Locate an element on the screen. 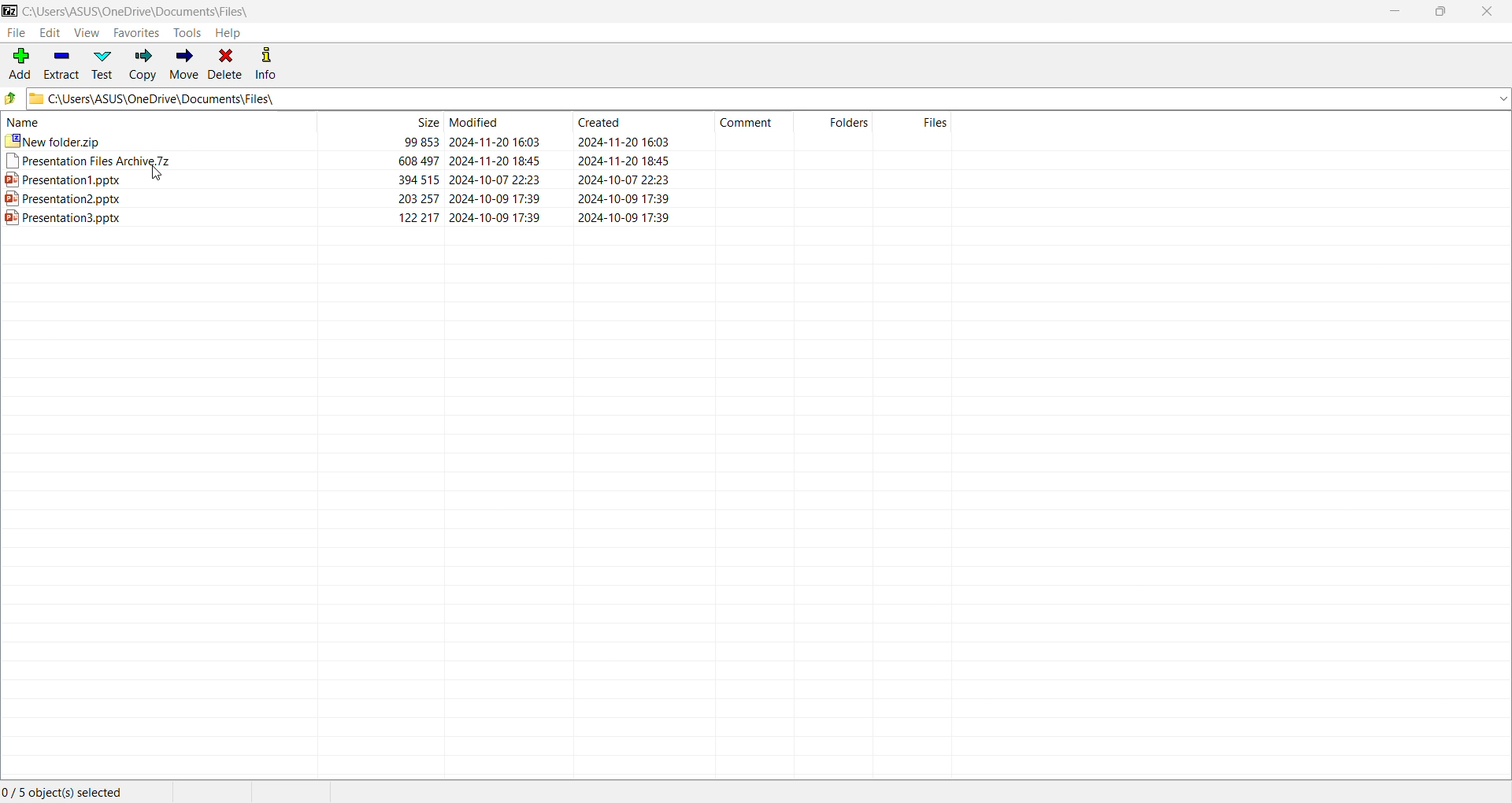  modified is located at coordinates (502, 121).